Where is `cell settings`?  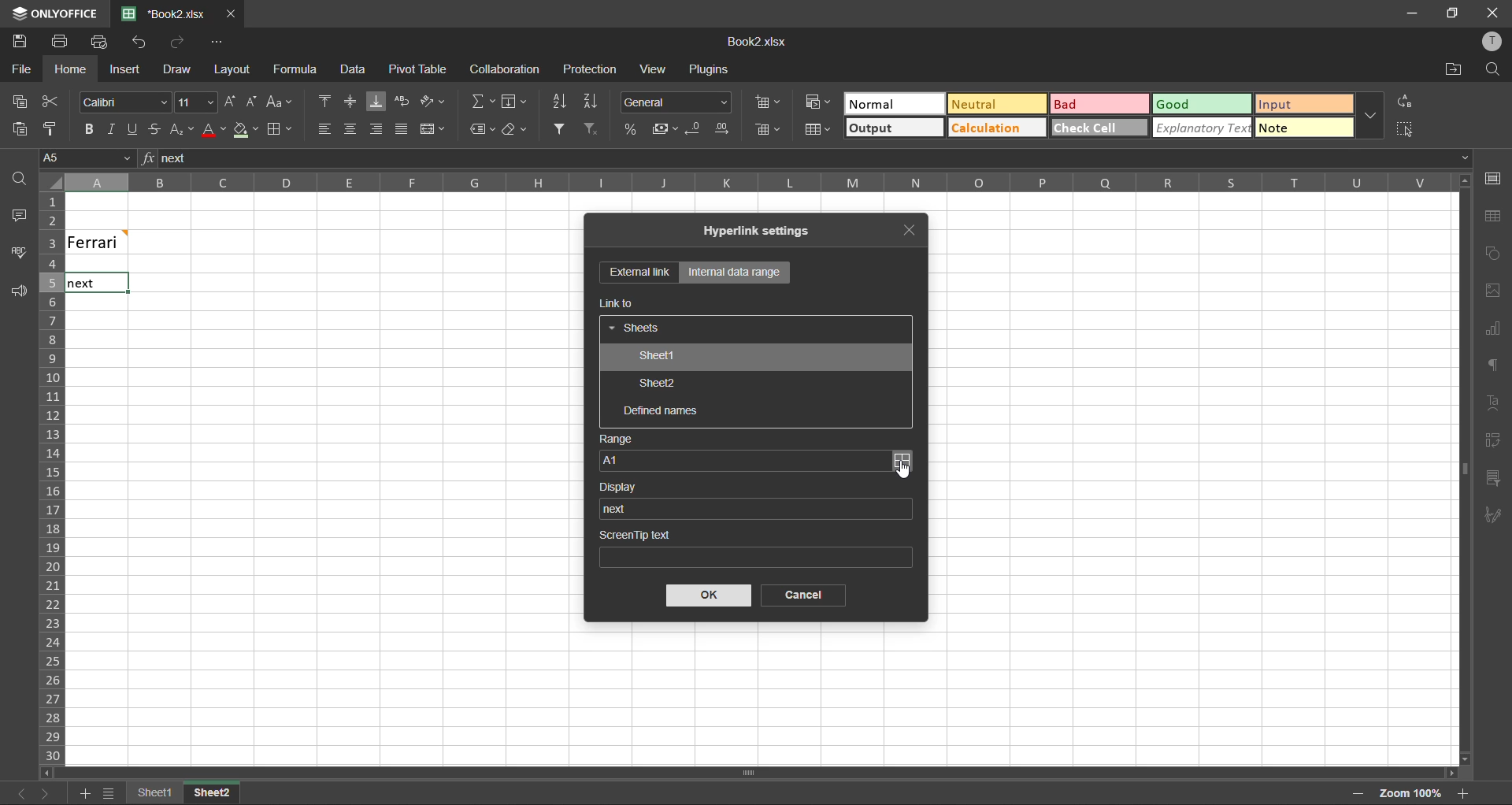
cell settings is located at coordinates (1493, 178).